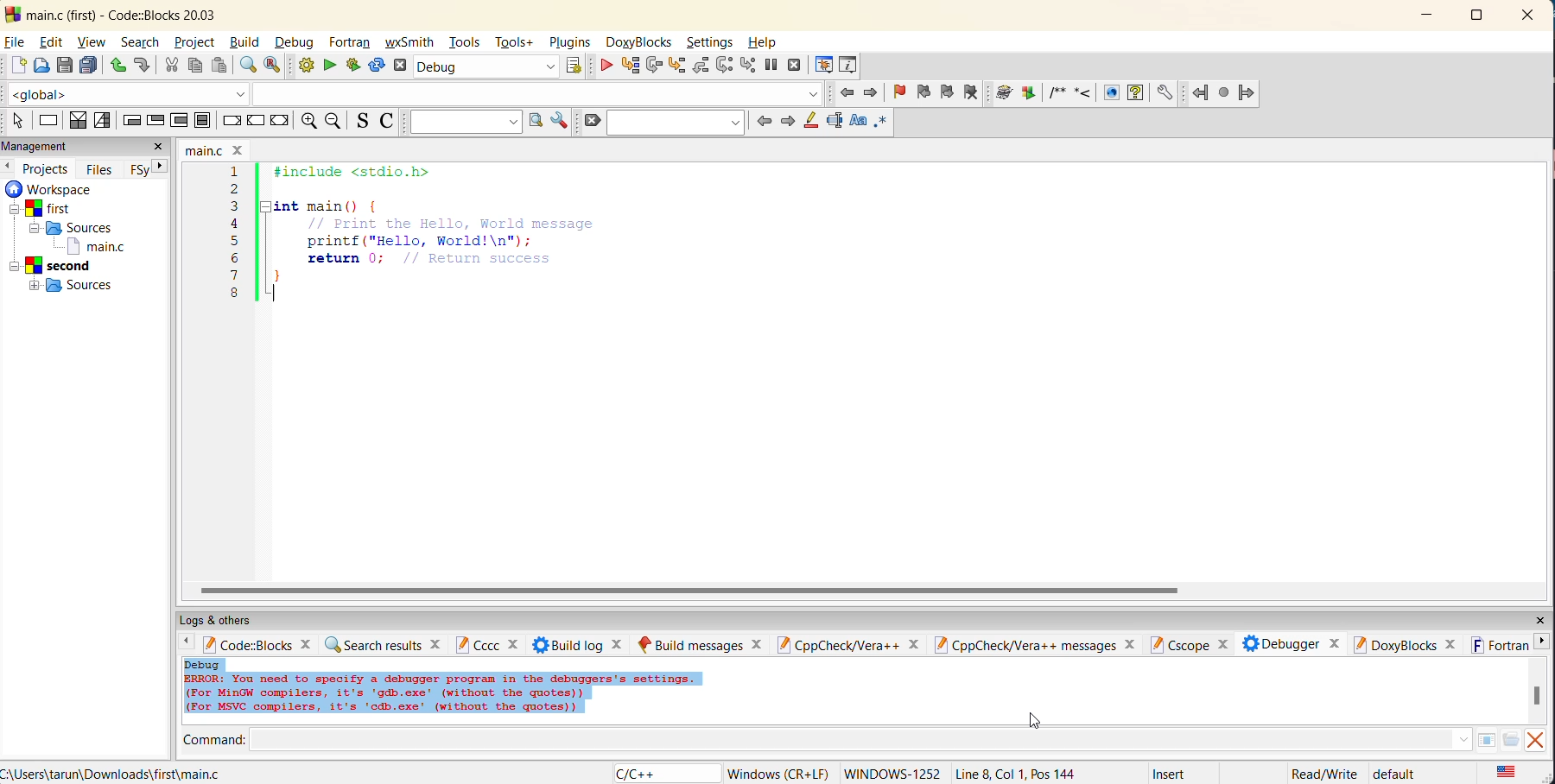 This screenshot has height=784, width=1555. What do you see at coordinates (385, 123) in the screenshot?
I see `toggle comments` at bounding box center [385, 123].